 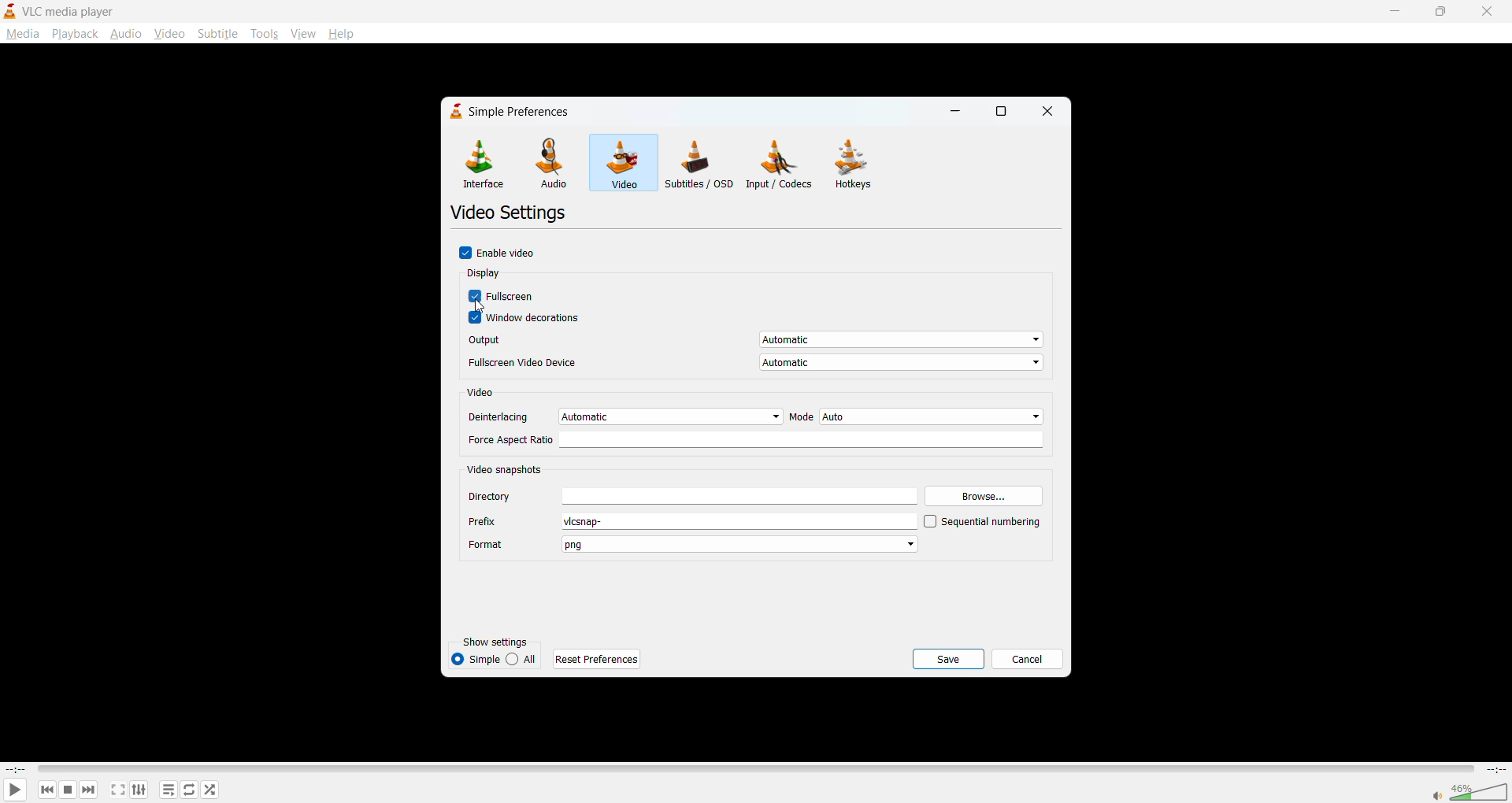 I want to click on output, so click(x=753, y=342).